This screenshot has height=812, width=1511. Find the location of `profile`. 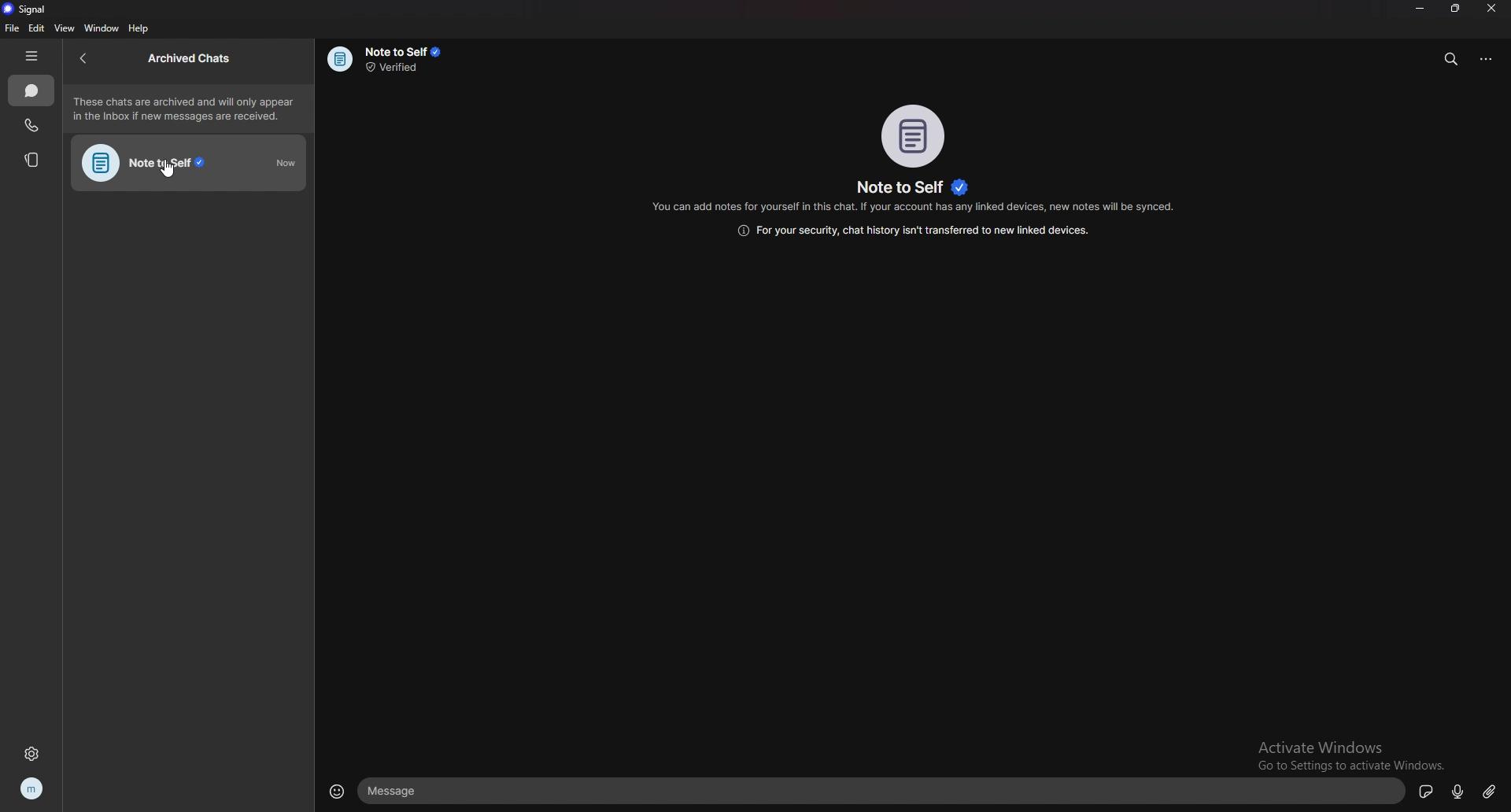

profile is located at coordinates (33, 788).